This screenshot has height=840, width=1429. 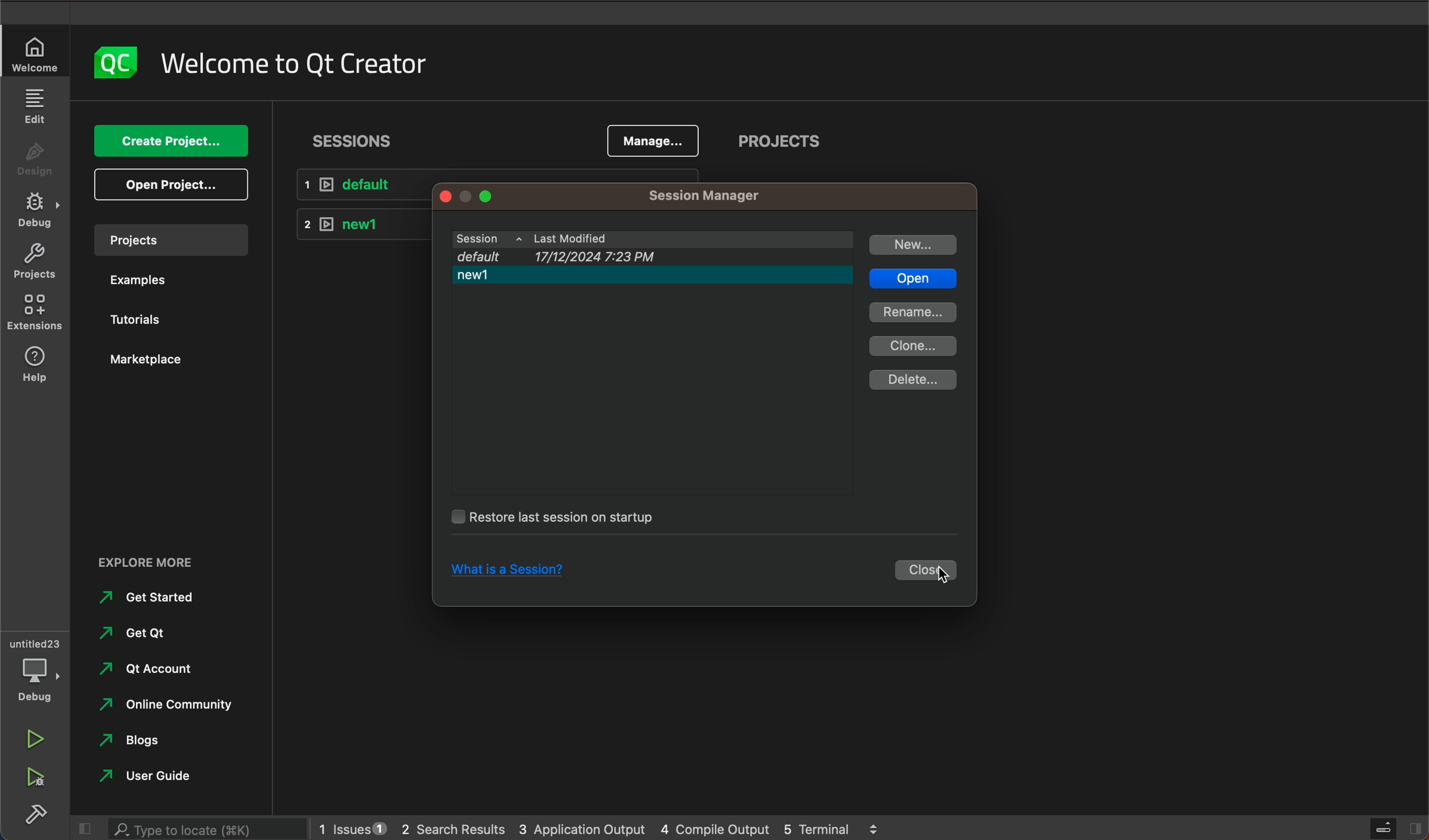 I want to click on untitles, so click(x=38, y=642).